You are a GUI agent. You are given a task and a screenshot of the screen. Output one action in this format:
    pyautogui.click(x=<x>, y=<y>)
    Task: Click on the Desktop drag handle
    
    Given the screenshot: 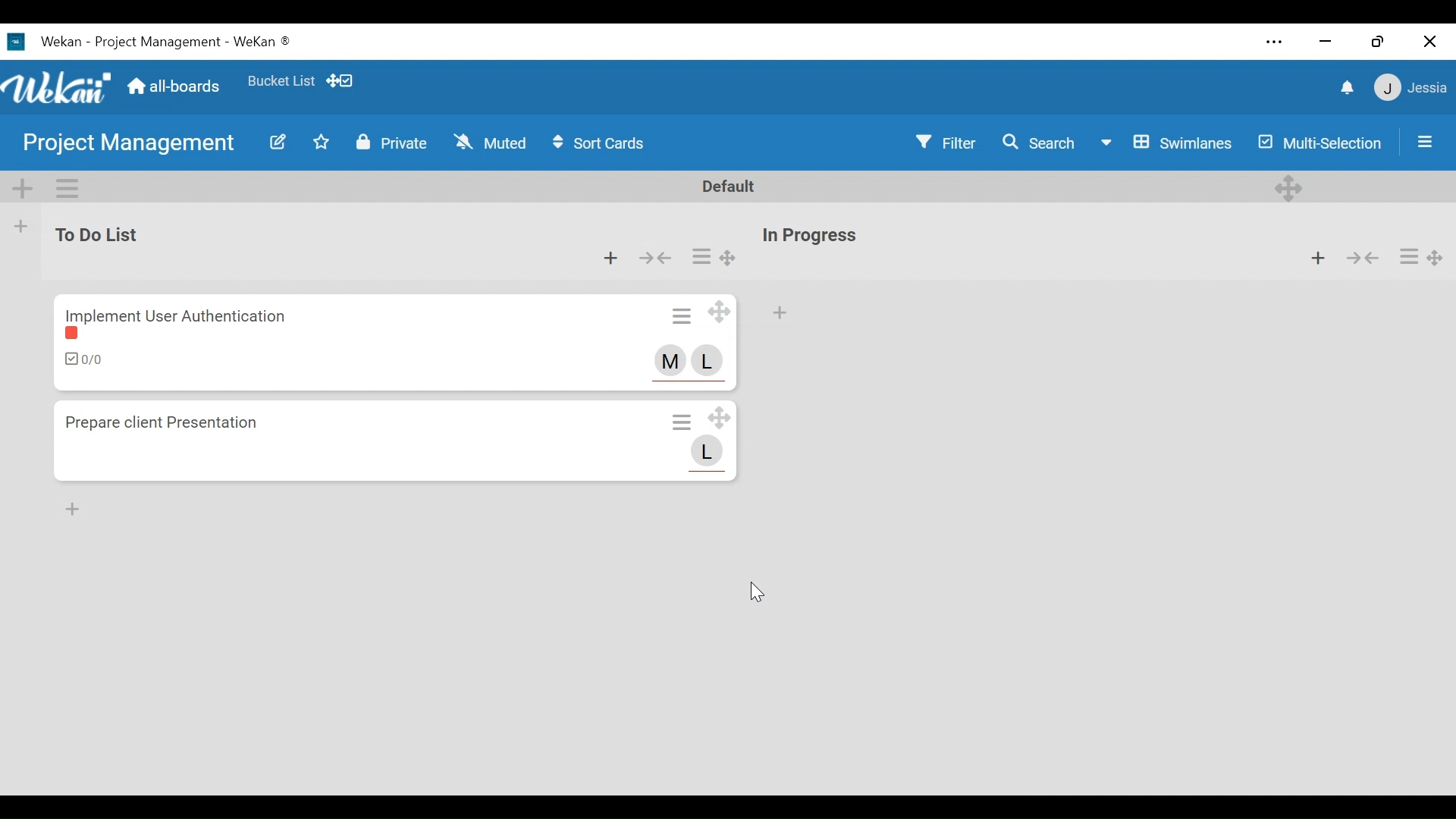 What is the action you would take?
    pyautogui.click(x=720, y=312)
    